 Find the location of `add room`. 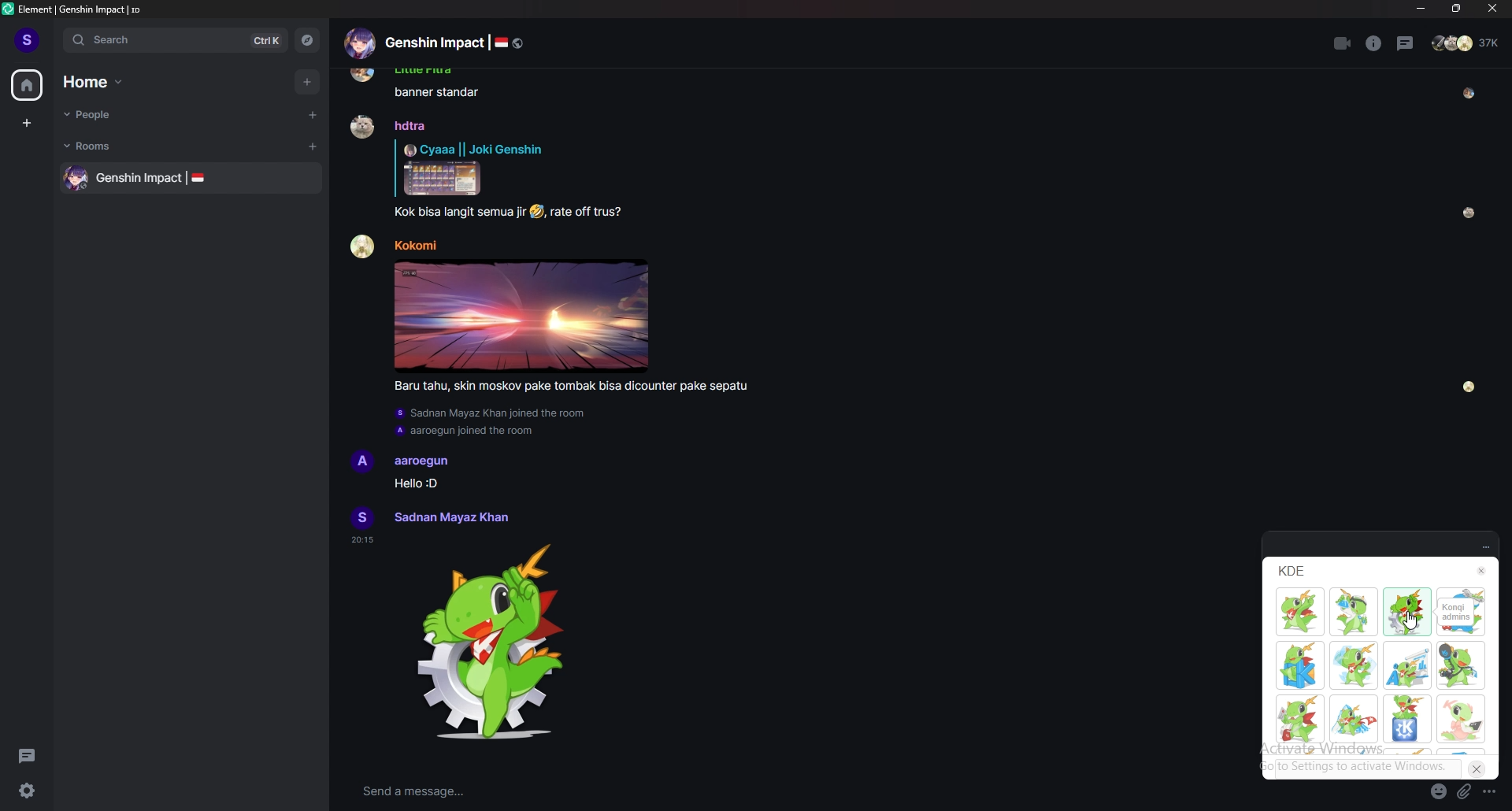

add room is located at coordinates (313, 146).